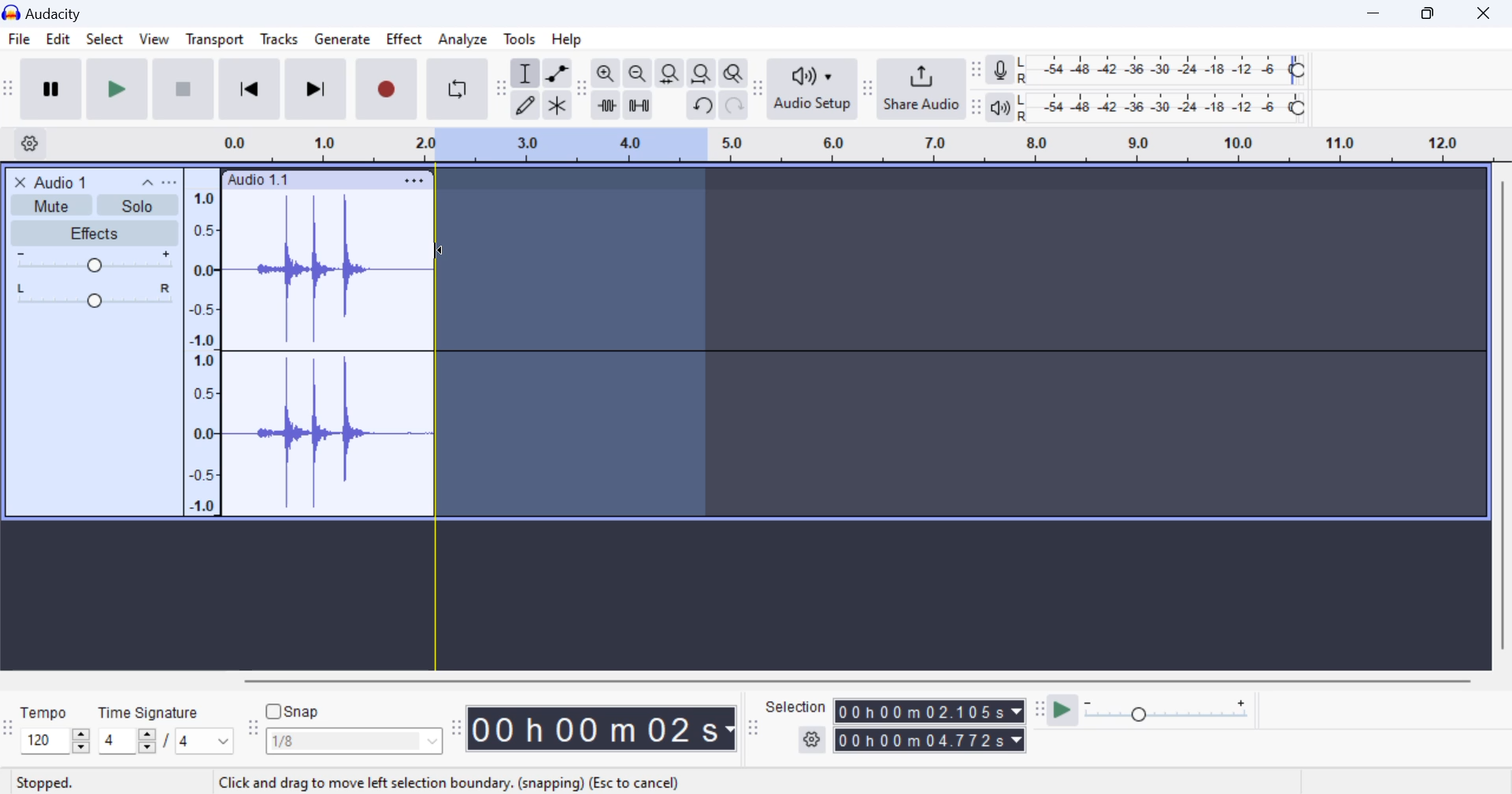 The width and height of the screenshot is (1512, 794). I want to click on Playback Speed, so click(1176, 712).